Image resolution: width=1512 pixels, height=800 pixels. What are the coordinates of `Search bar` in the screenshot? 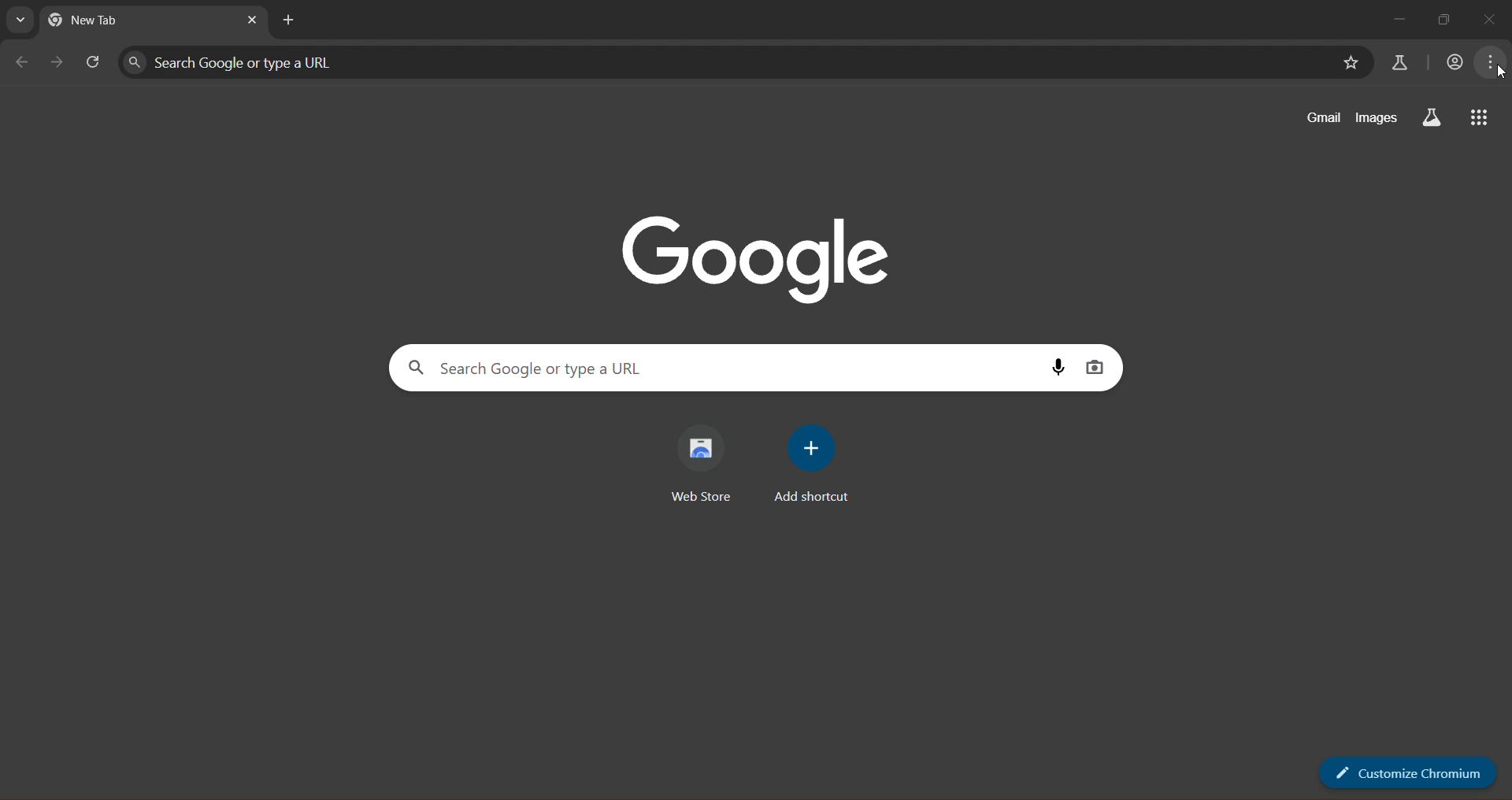 It's located at (713, 368).